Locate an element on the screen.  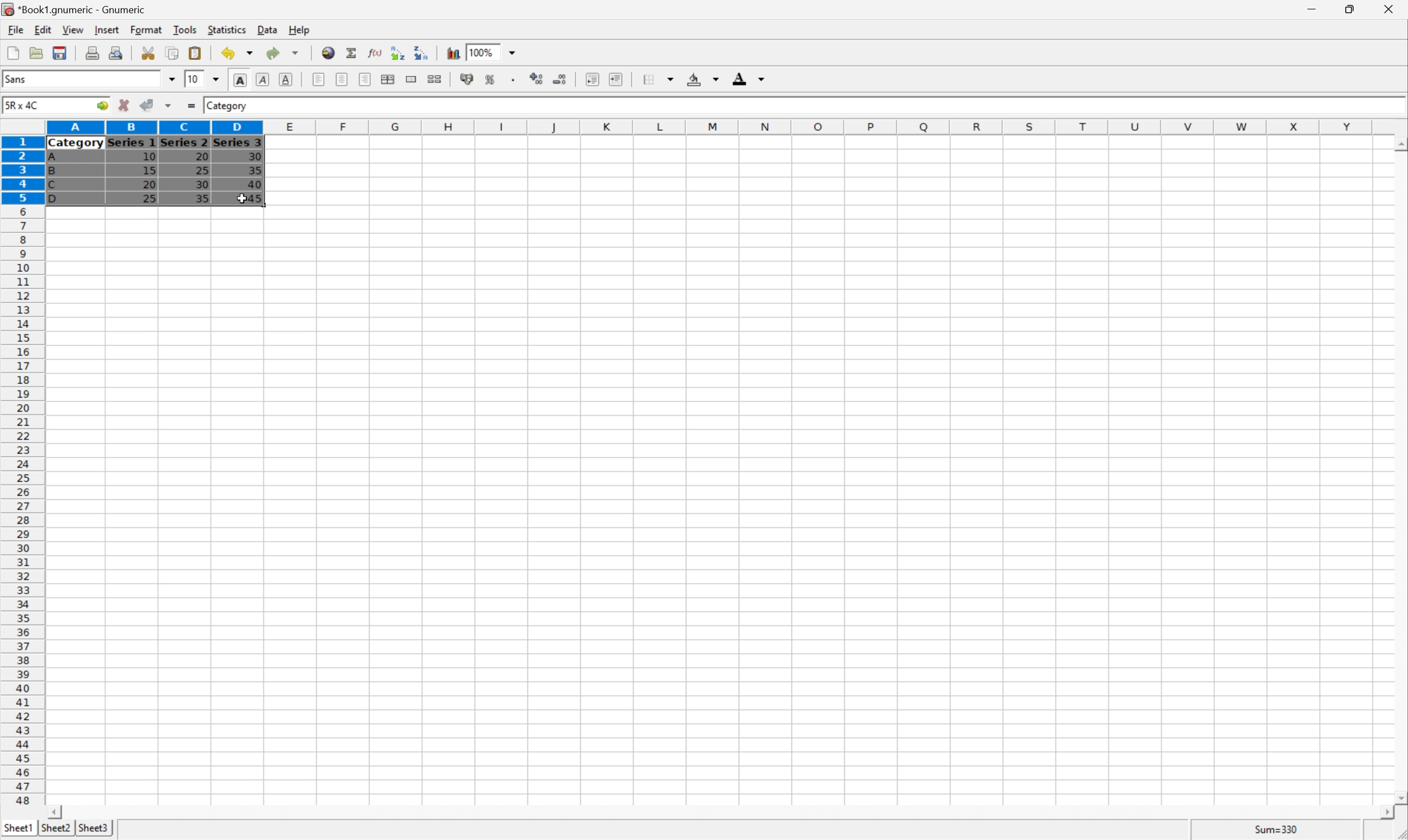
30 is located at coordinates (203, 186).